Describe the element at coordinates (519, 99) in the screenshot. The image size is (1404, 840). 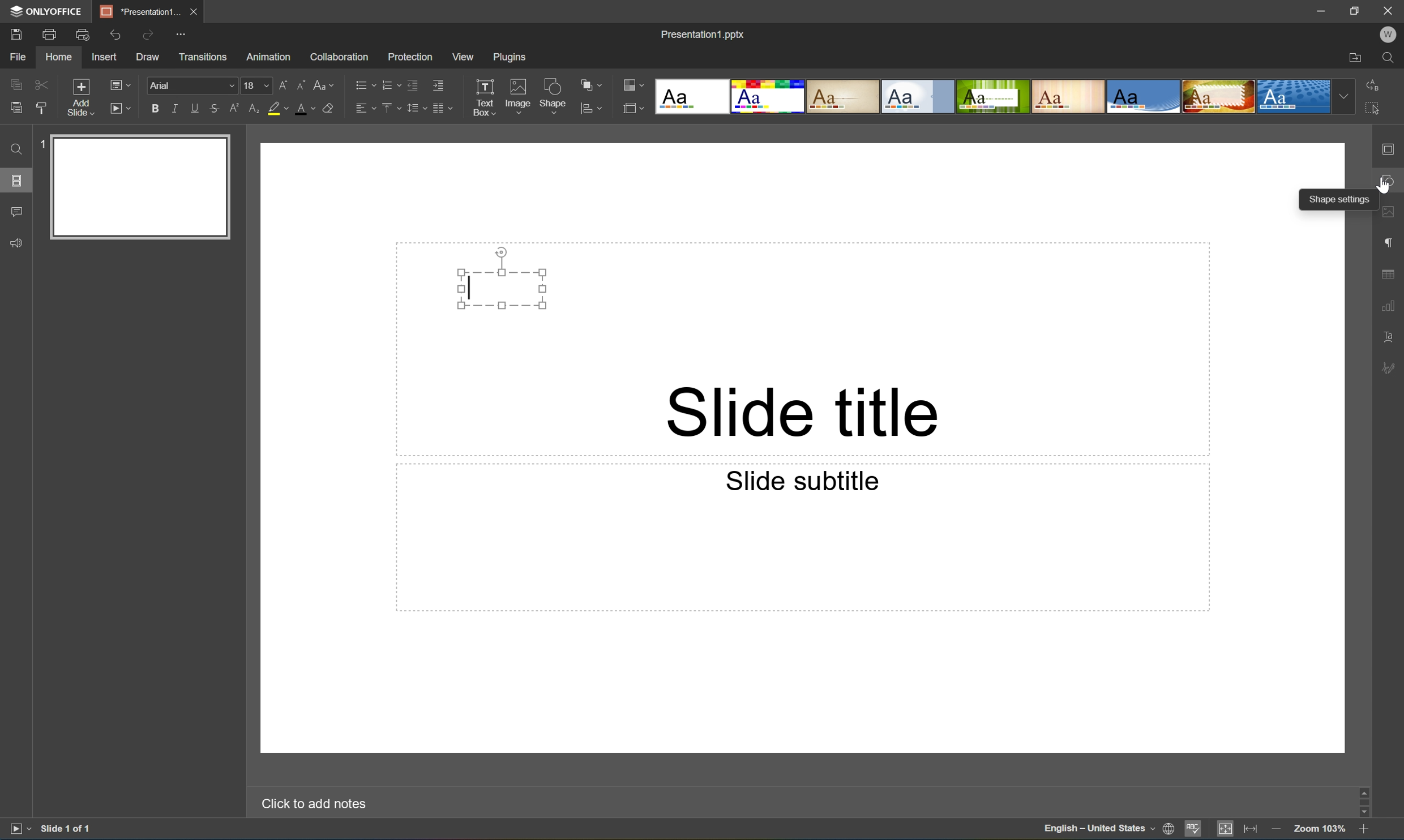
I see `Image` at that location.